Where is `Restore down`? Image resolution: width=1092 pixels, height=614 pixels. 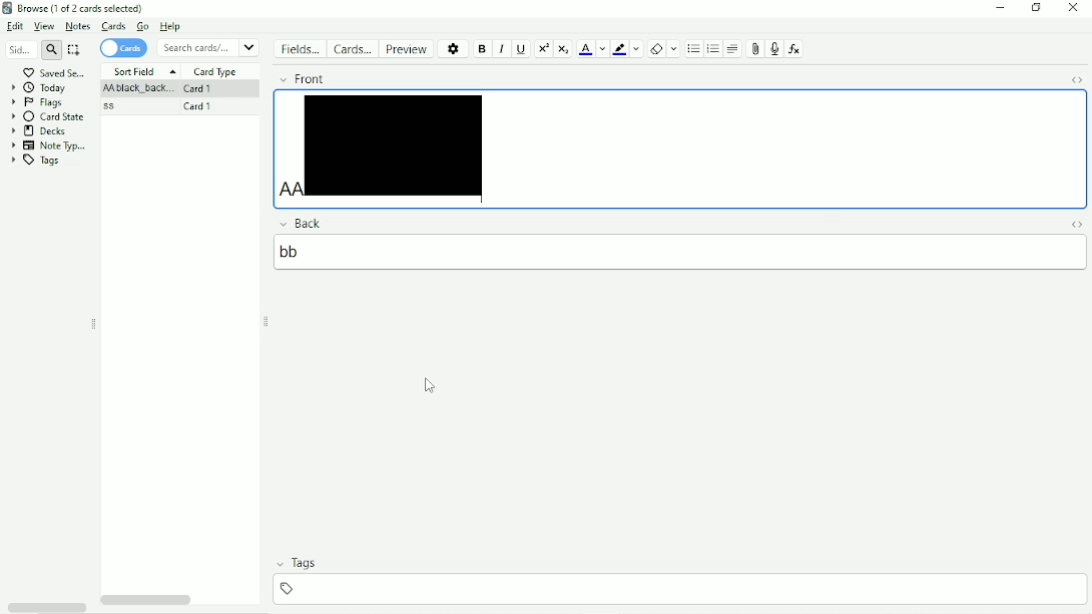 Restore down is located at coordinates (1036, 8).